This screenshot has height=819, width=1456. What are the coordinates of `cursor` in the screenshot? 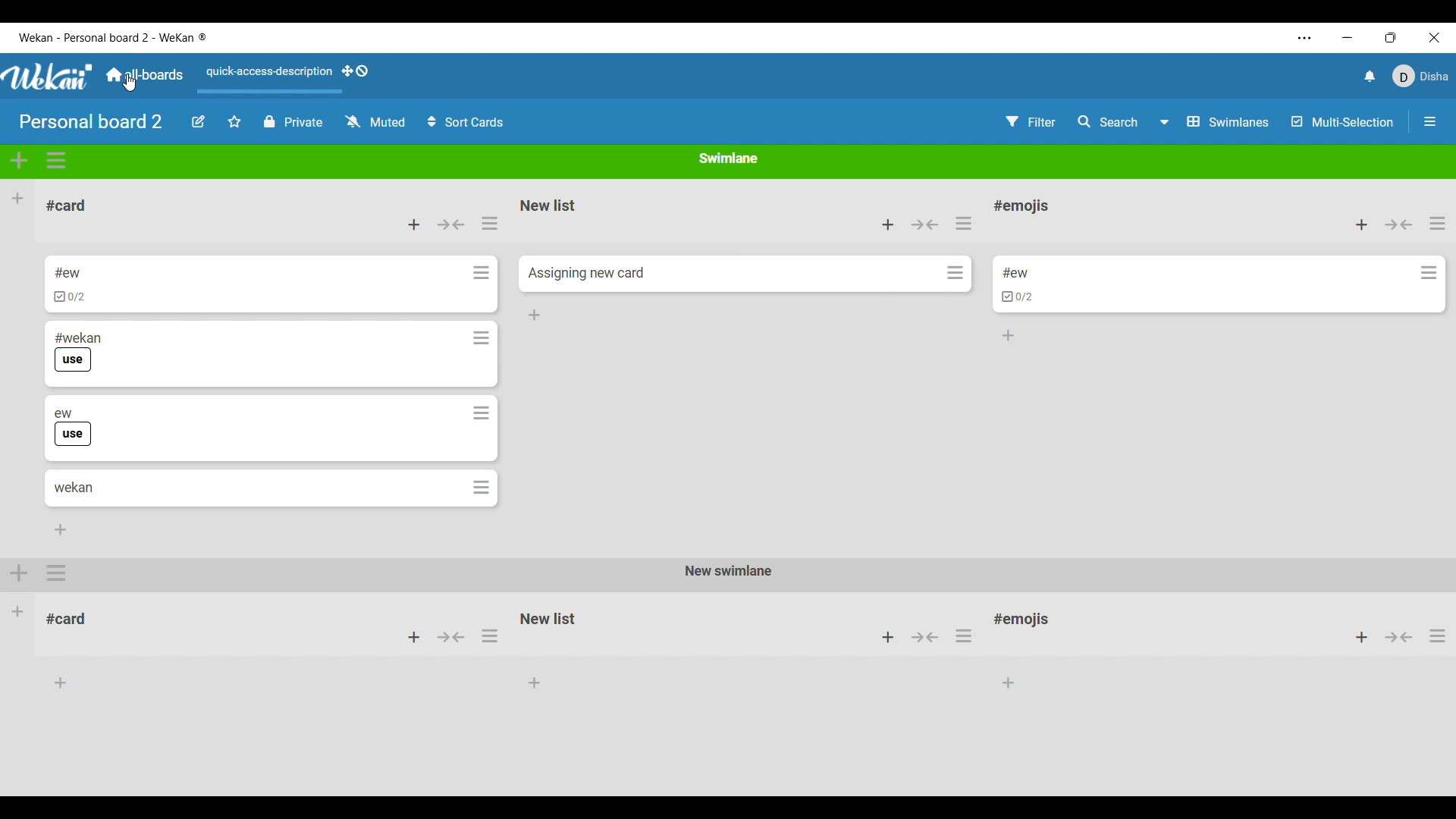 It's located at (129, 83).